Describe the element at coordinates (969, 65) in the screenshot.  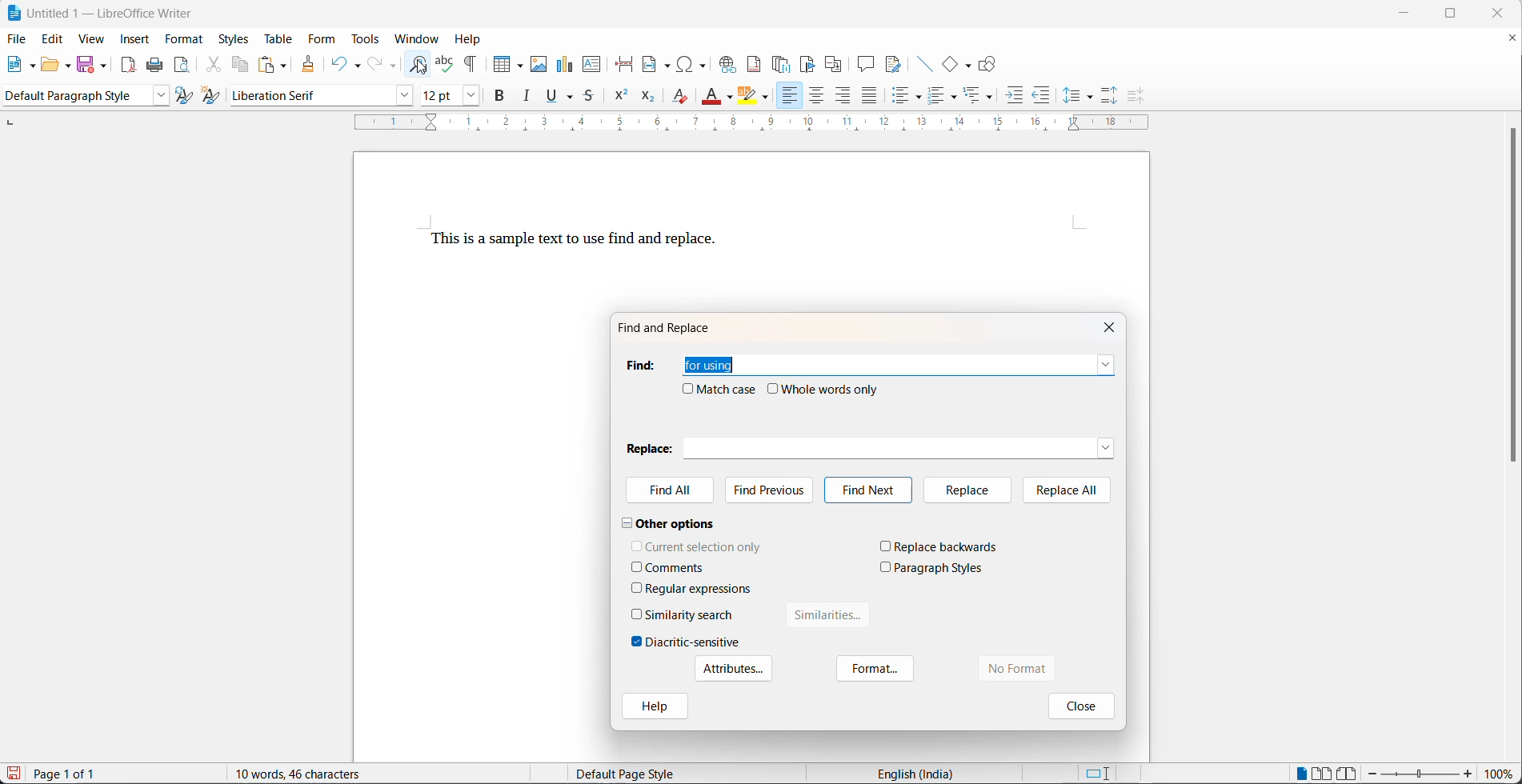
I see `basic shapes functions` at that location.